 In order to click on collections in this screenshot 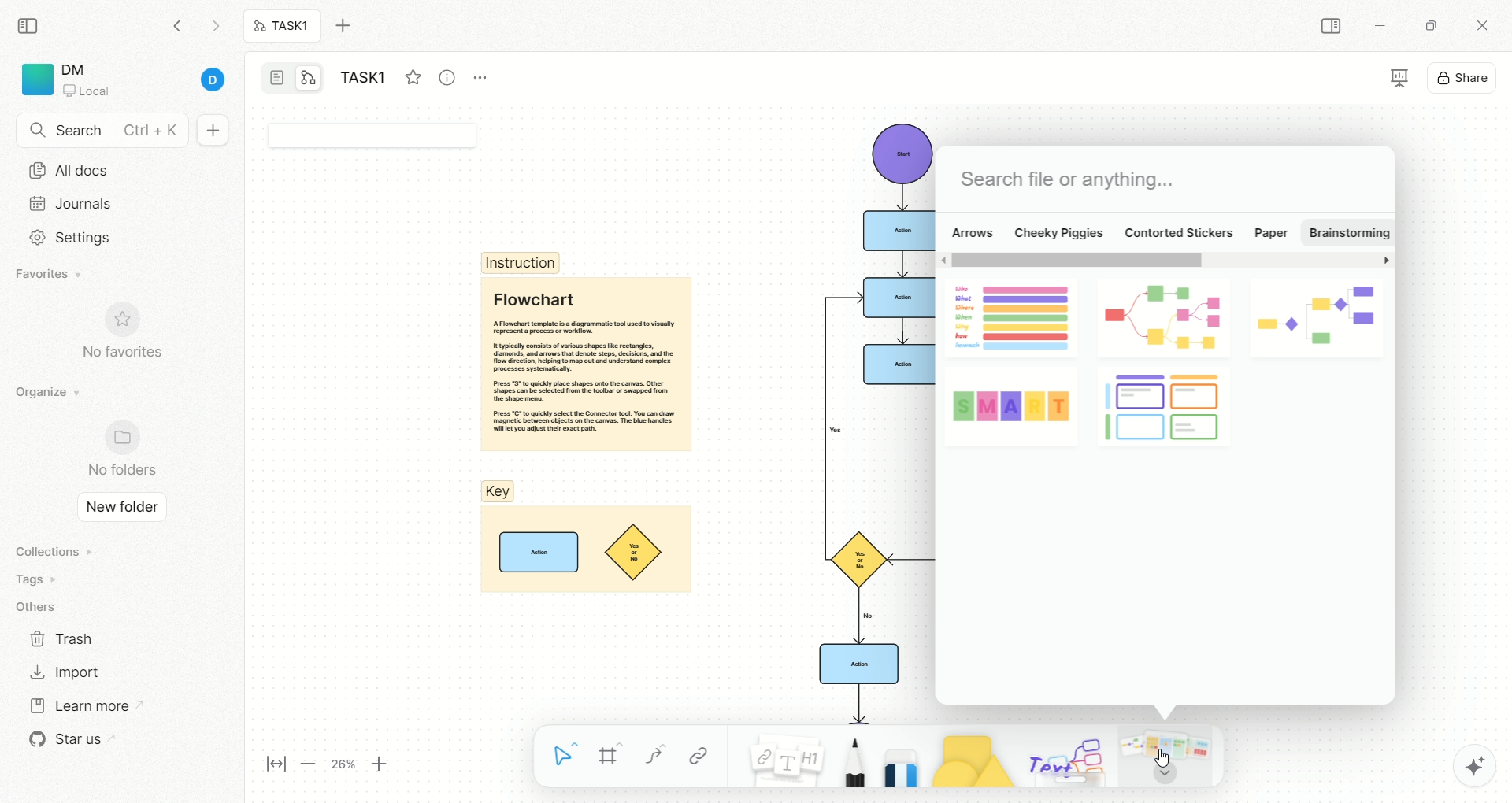, I will do `click(51, 551)`.